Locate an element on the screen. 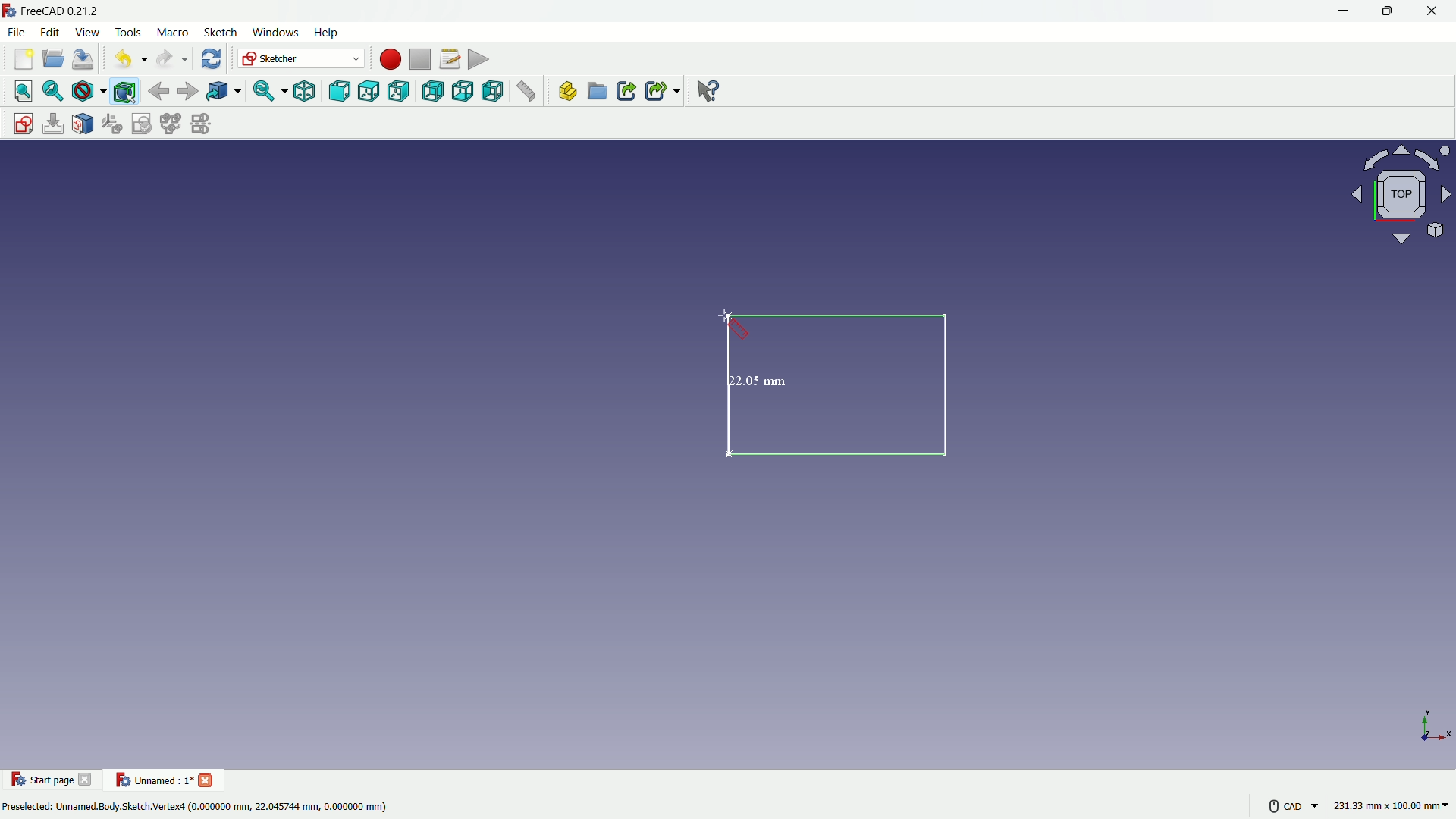 This screenshot has height=819, width=1456. make sub link is located at coordinates (661, 91).